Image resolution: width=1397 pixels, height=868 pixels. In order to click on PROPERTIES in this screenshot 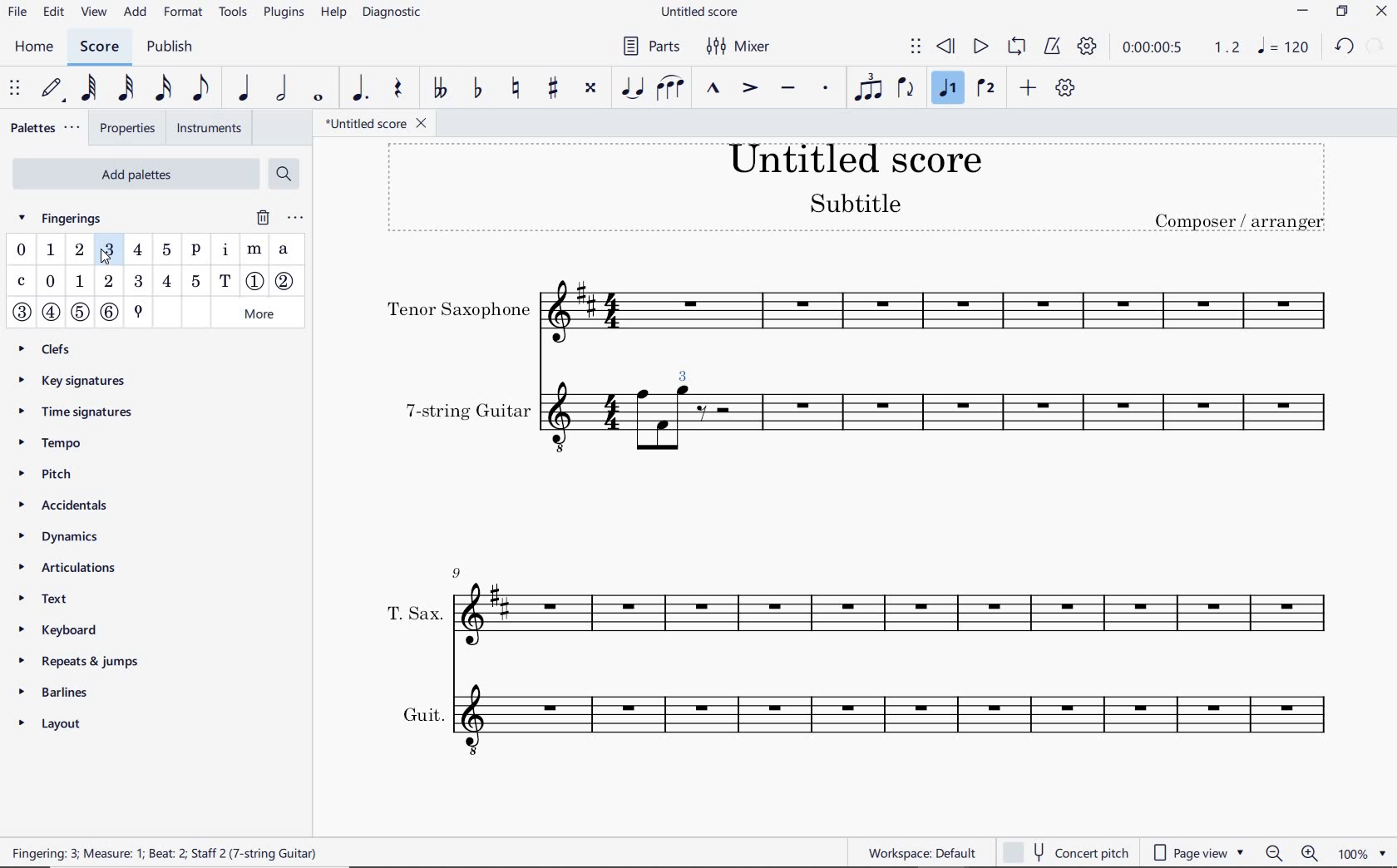, I will do `click(131, 127)`.